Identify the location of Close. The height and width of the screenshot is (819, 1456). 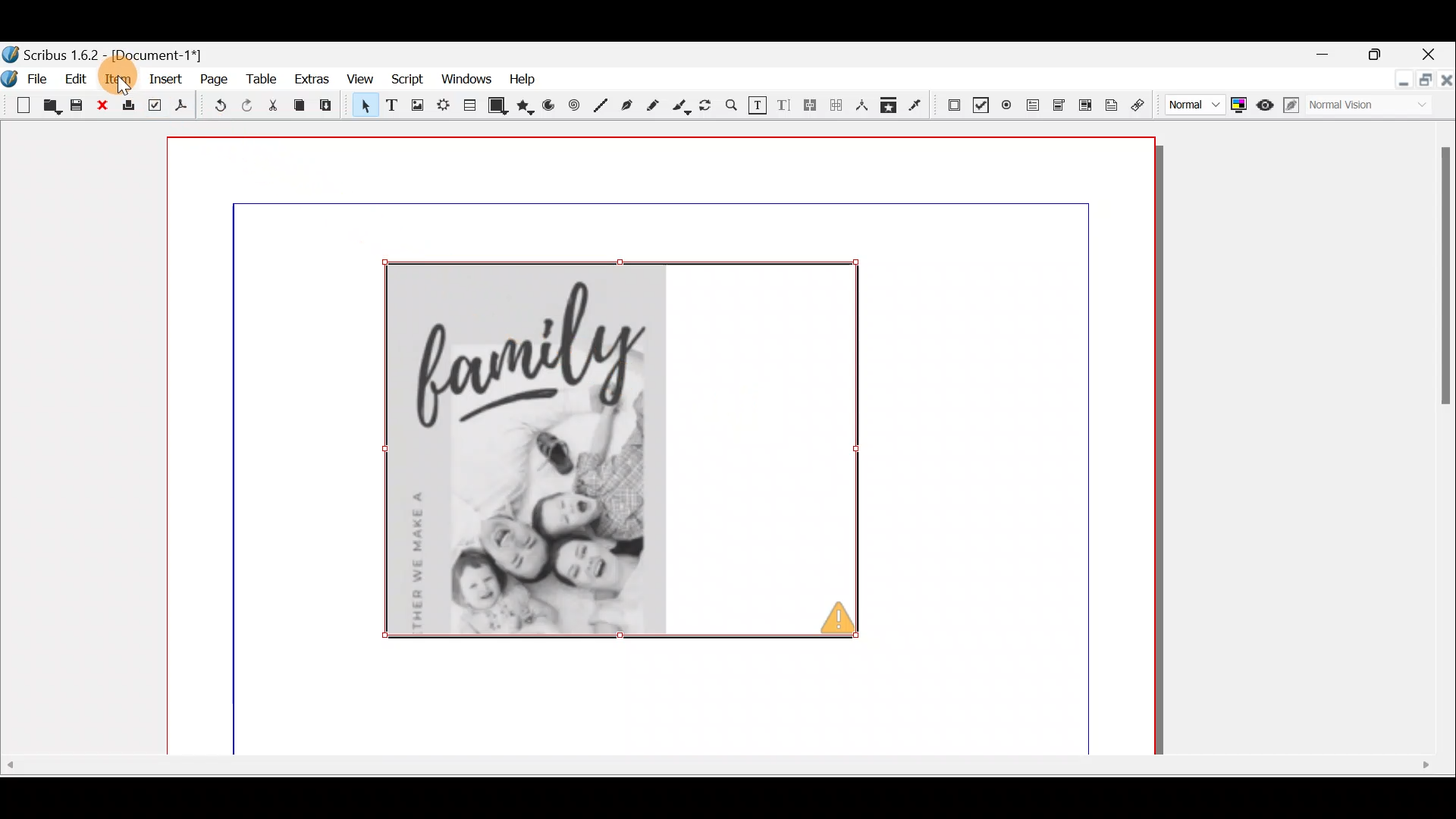
(1434, 51).